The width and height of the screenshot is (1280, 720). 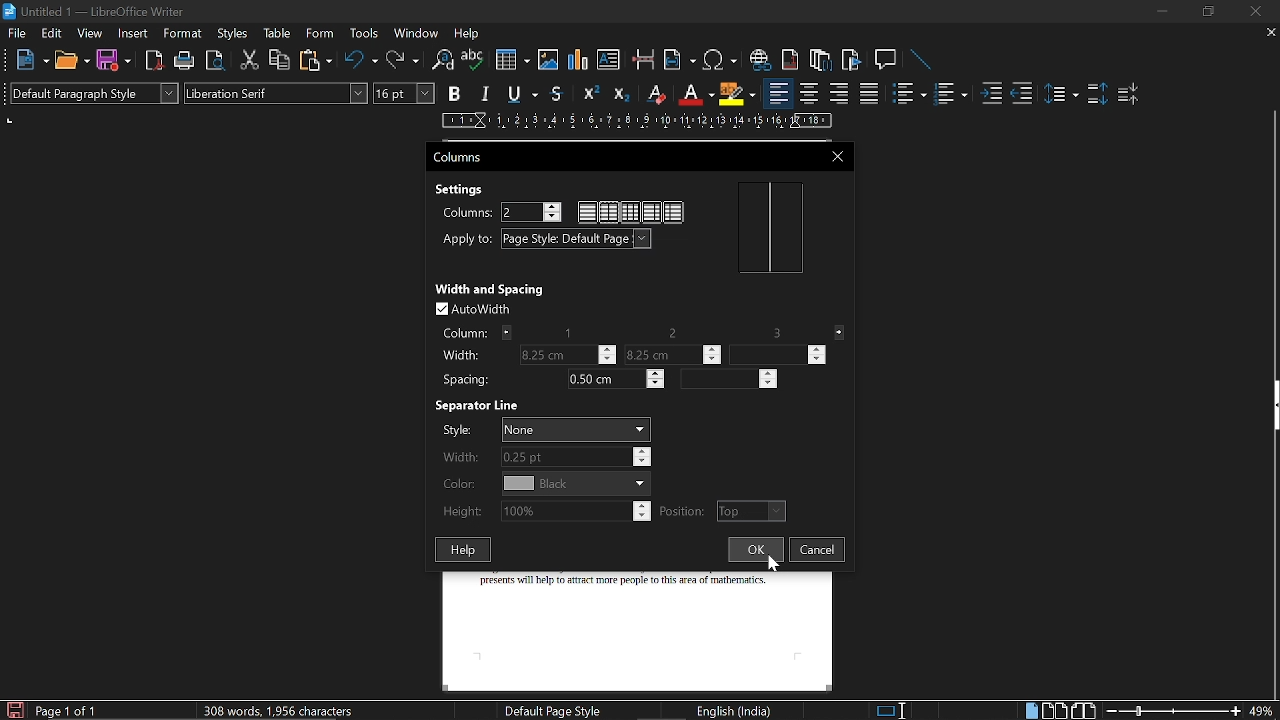 What do you see at coordinates (1257, 13) in the screenshot?
I see `Close` at bounding box center [1257, 13].